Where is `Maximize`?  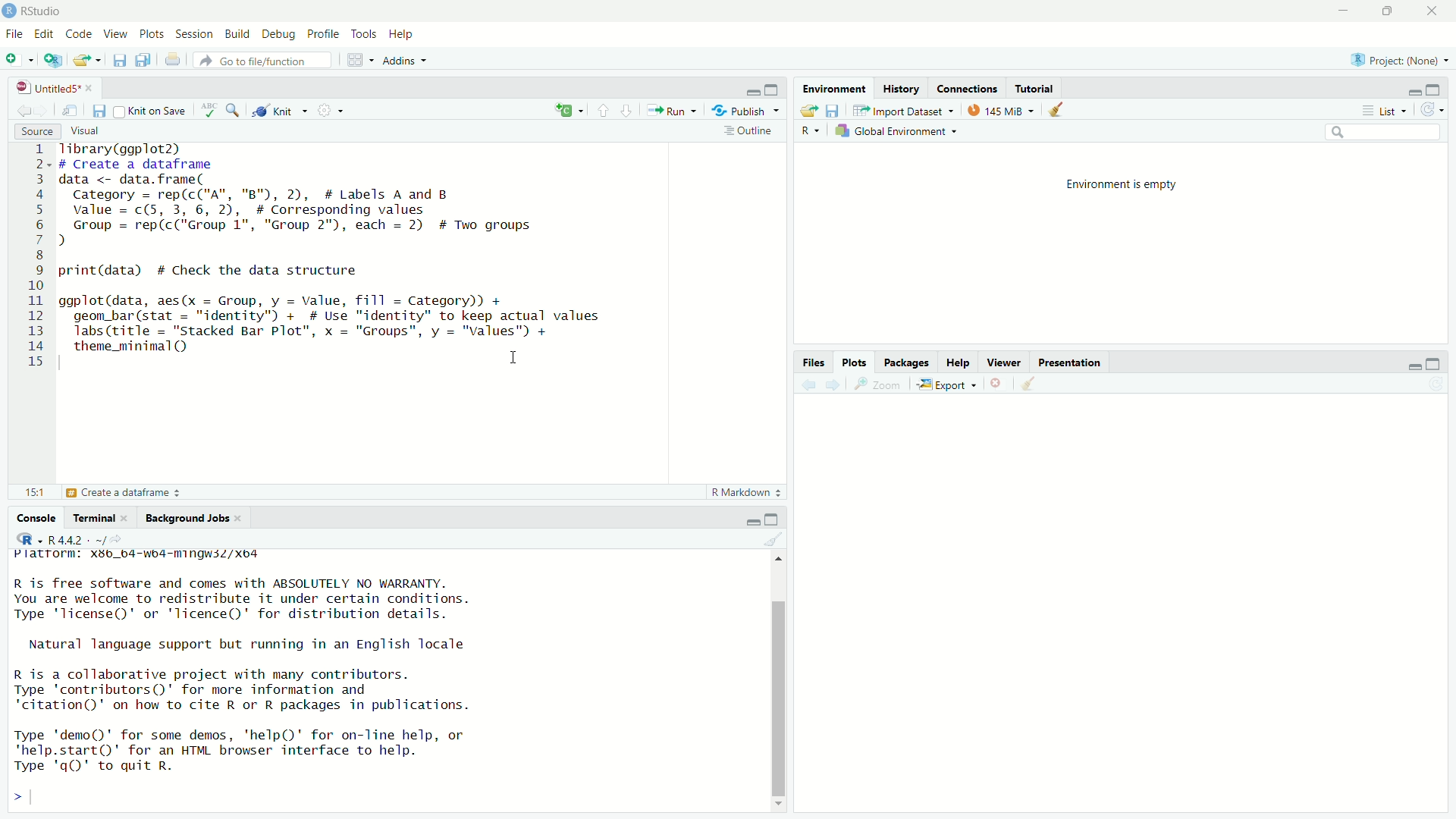
Maximize is located at coordinates (772, 519).